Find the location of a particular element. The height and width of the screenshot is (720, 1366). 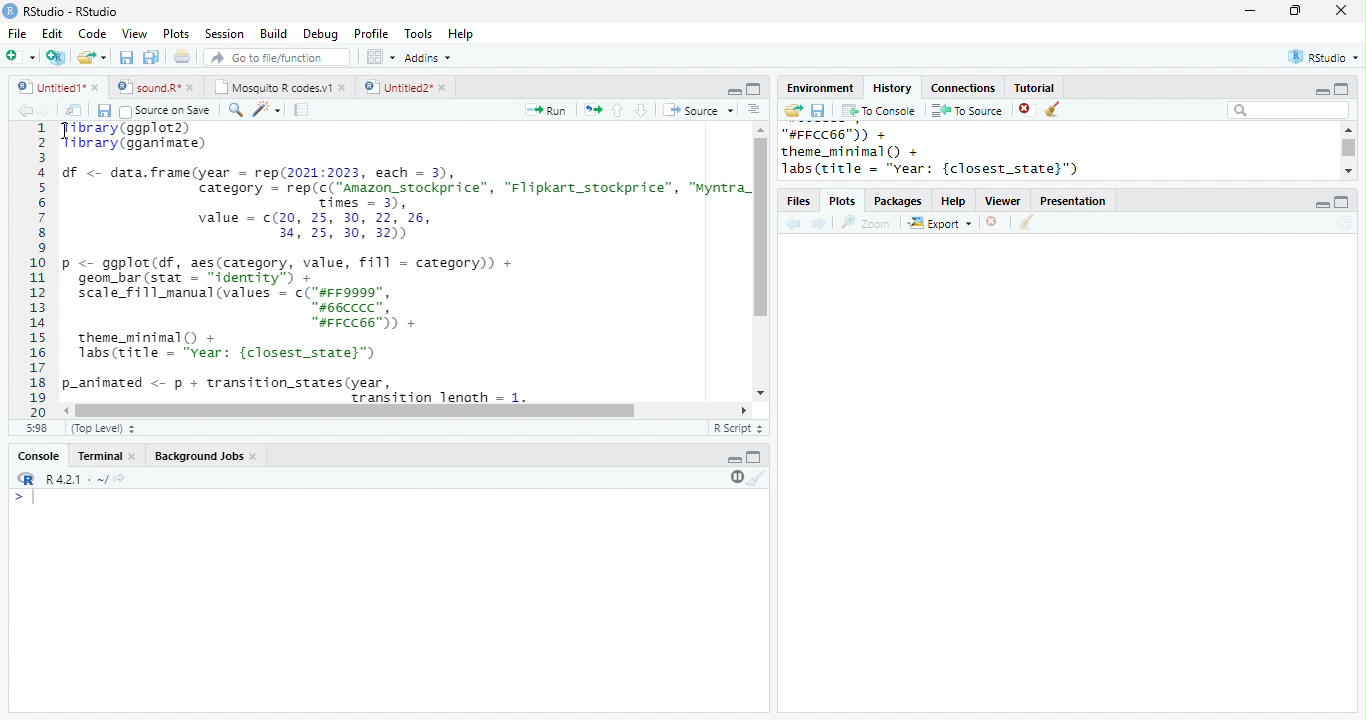

Presentation is located at coordinates (1073, 201).